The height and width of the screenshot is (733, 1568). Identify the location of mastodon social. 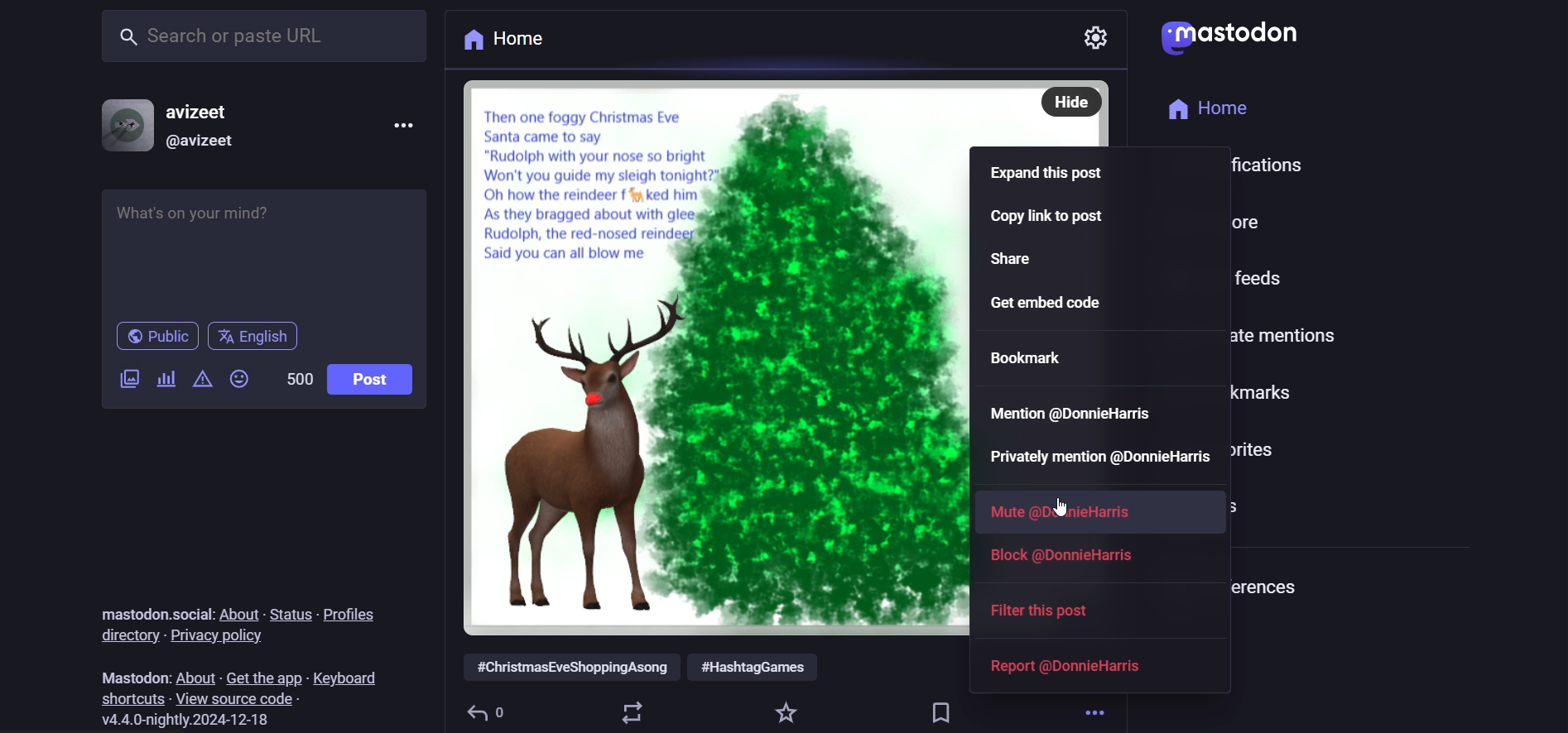
(154, 614).